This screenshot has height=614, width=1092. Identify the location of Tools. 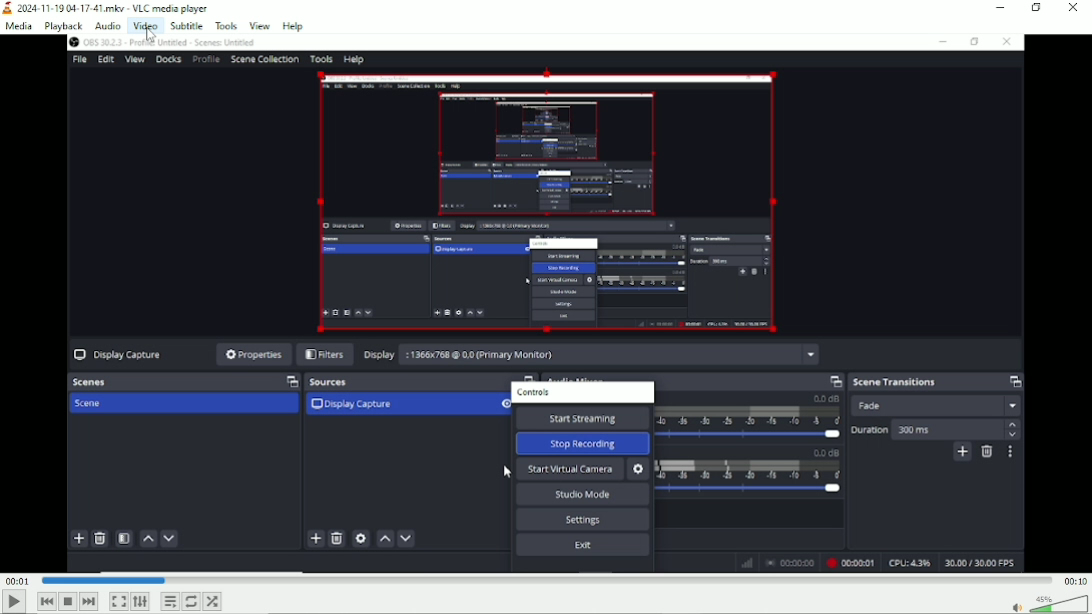
(226, 26).